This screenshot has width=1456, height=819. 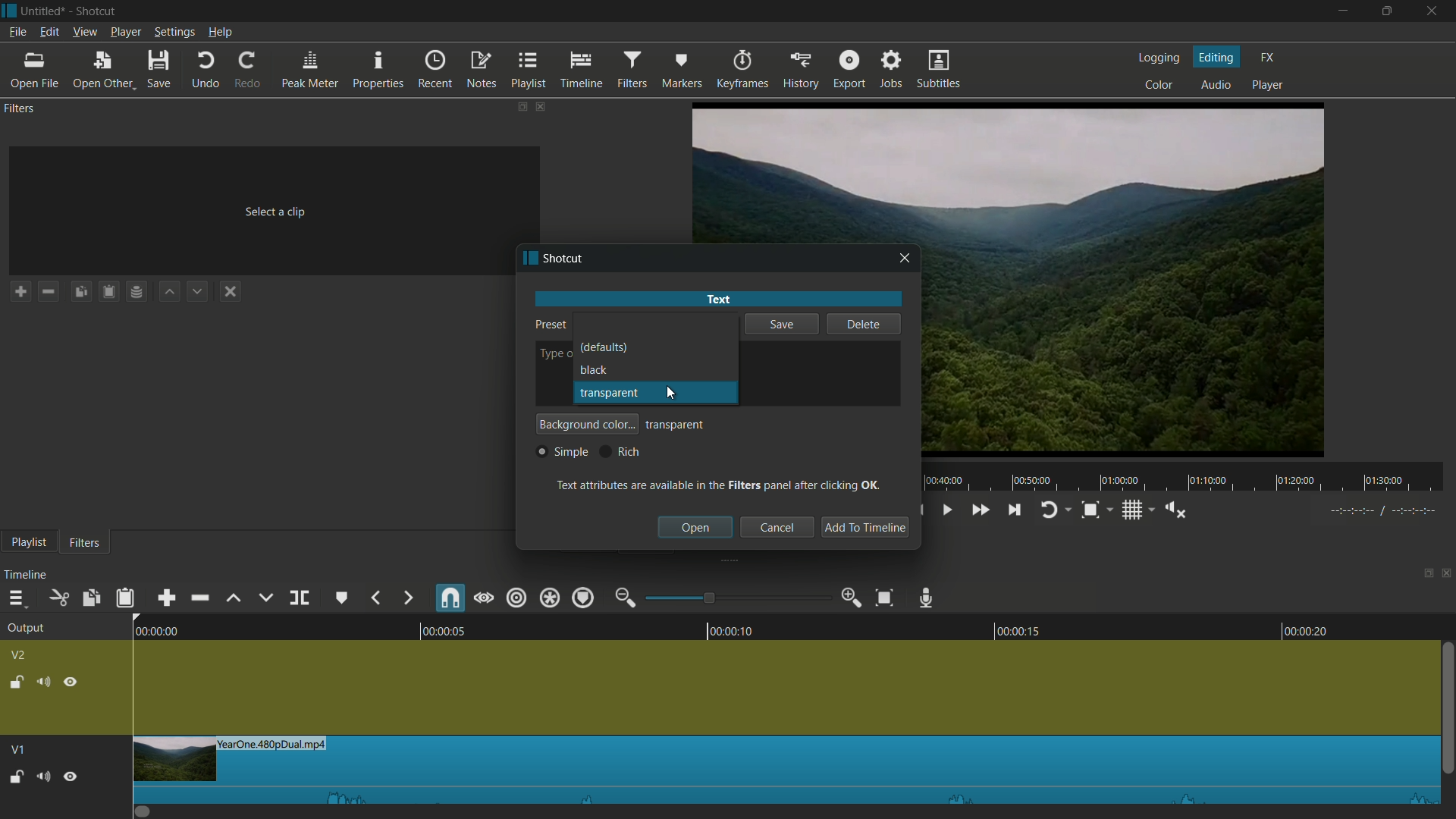 What do you see at coordinates (720, 484) in the screenshot?
I see `text` at bounding box center [720, 484].